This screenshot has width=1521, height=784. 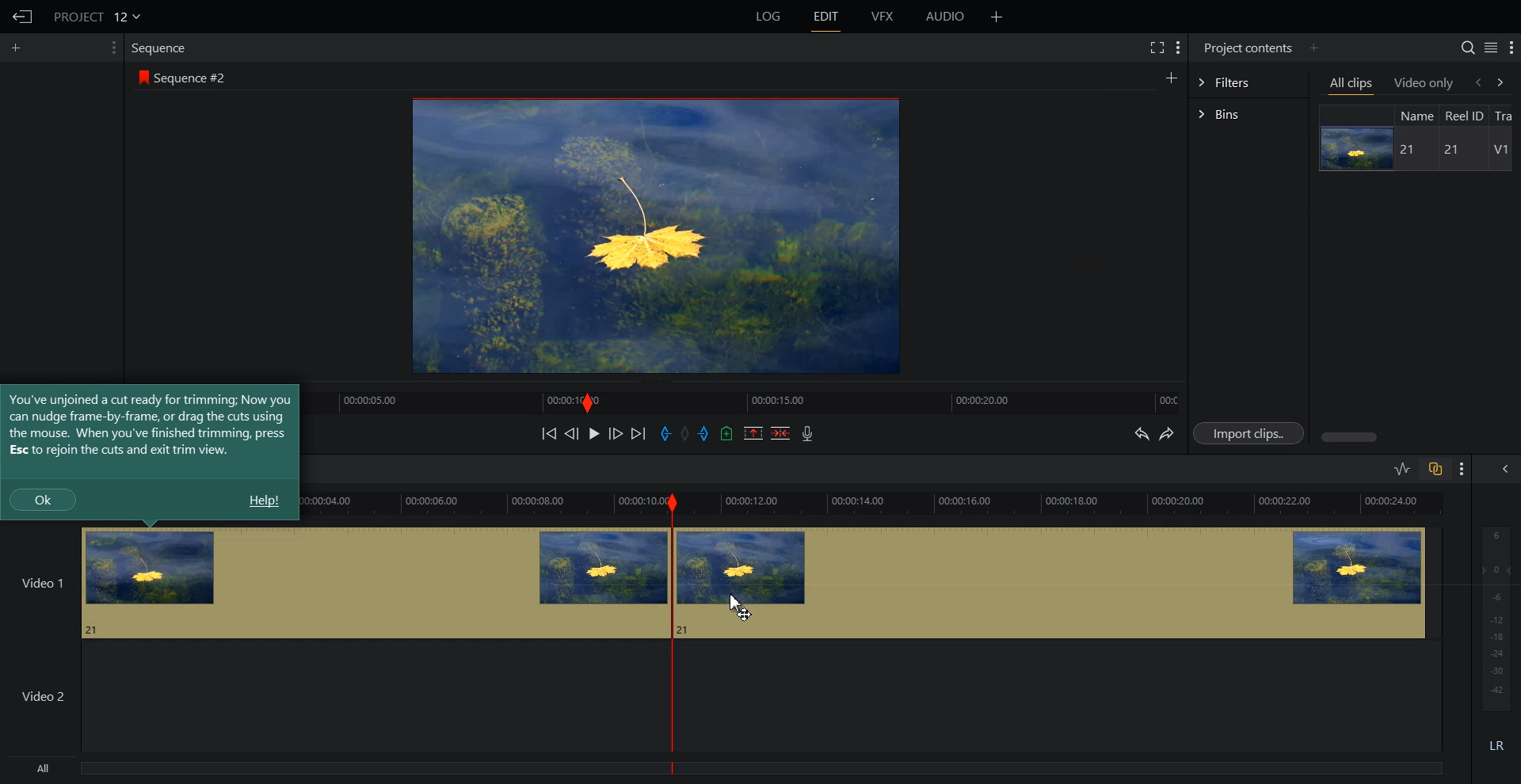 I want to click on Bins, so click(x=1248, y=114).